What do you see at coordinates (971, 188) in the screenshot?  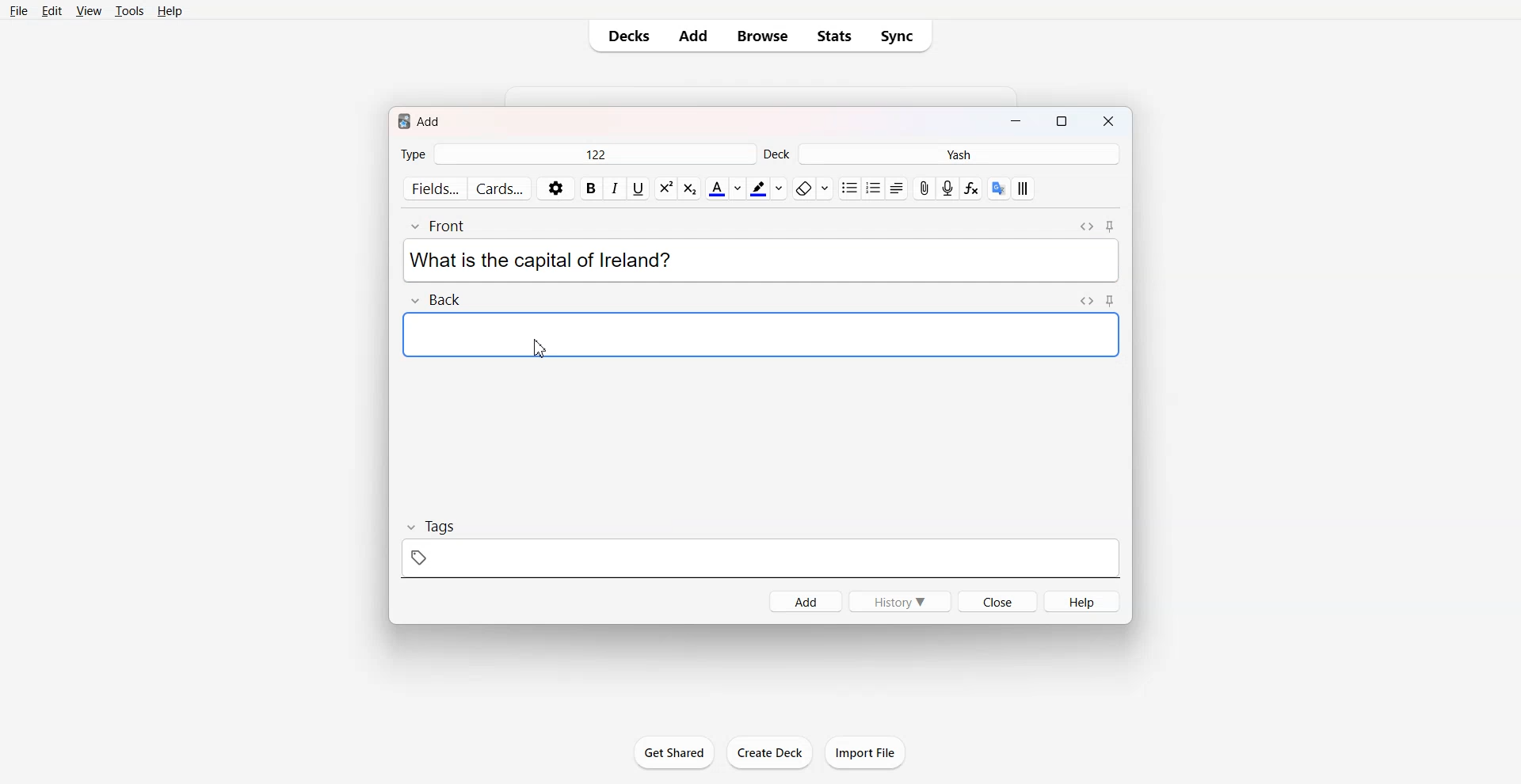 I see `Equations` at bounding box center [971, 188].